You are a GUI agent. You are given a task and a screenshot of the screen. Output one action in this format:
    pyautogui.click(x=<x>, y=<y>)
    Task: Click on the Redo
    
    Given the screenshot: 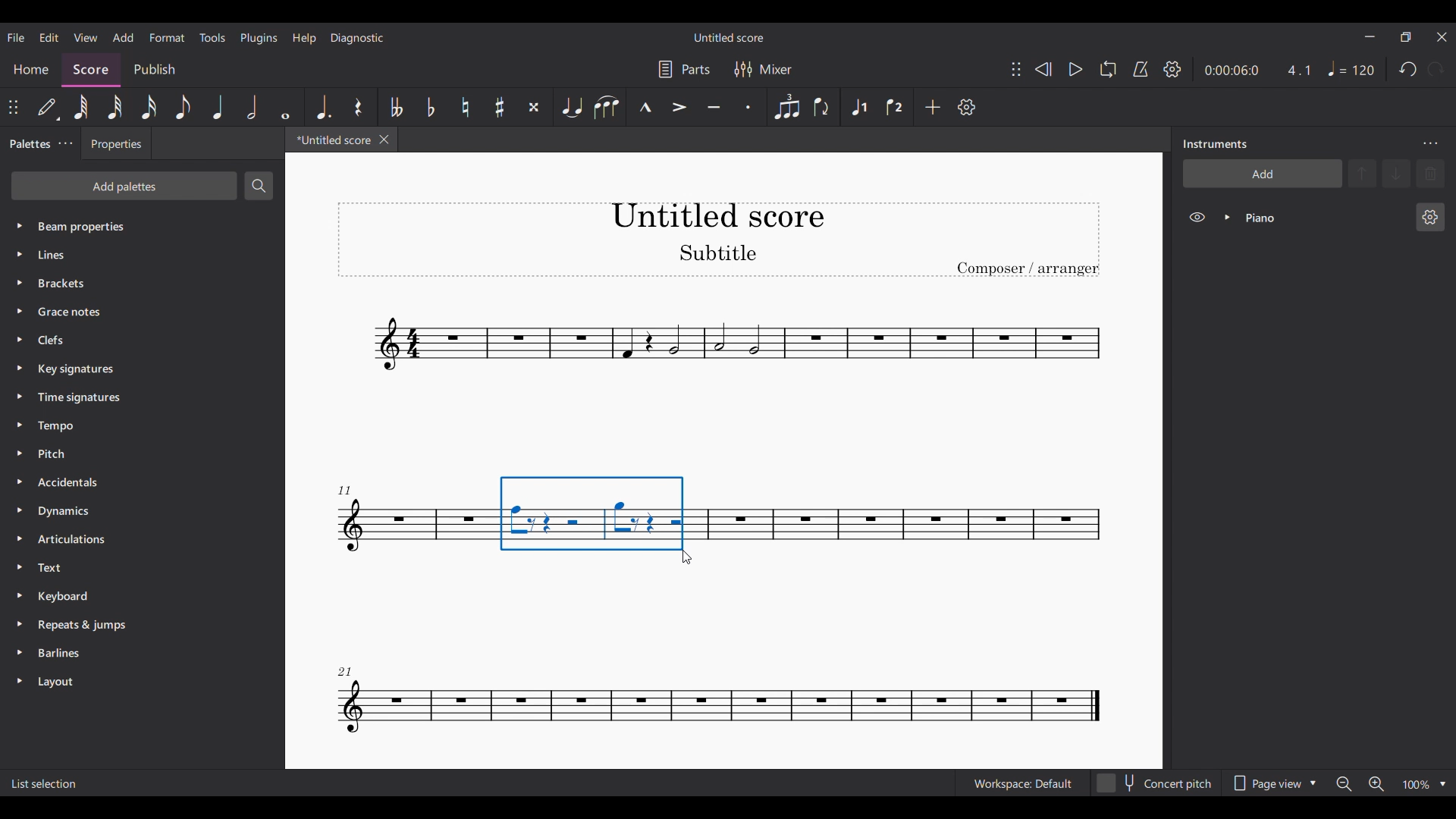 What is the action you would take?
    pyautogui.click(x=1436, y=69)
    